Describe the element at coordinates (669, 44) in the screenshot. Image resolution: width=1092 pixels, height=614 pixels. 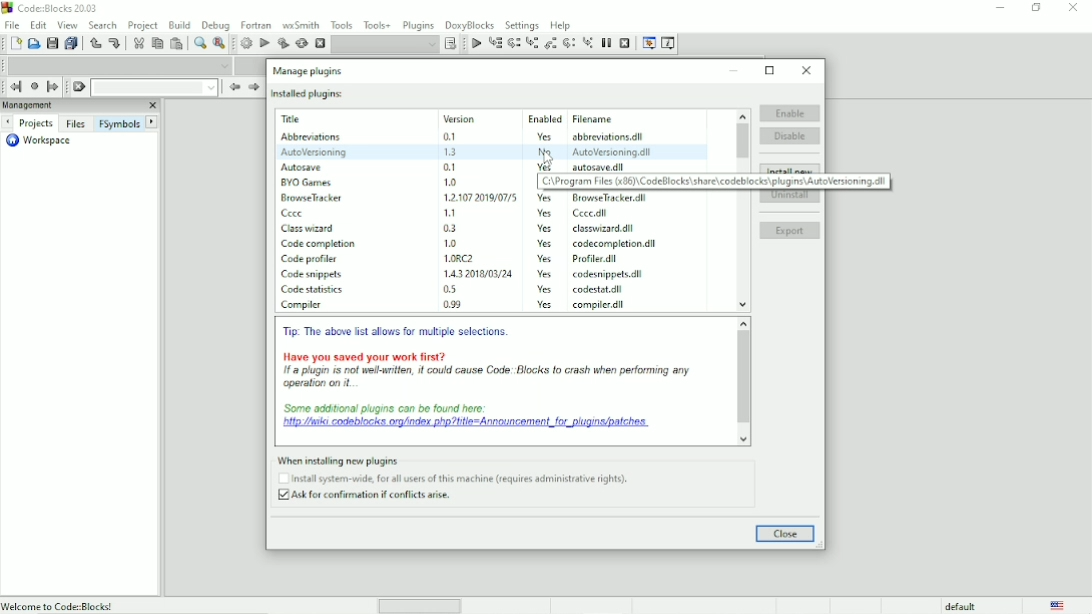
I see `Various info` at that location.